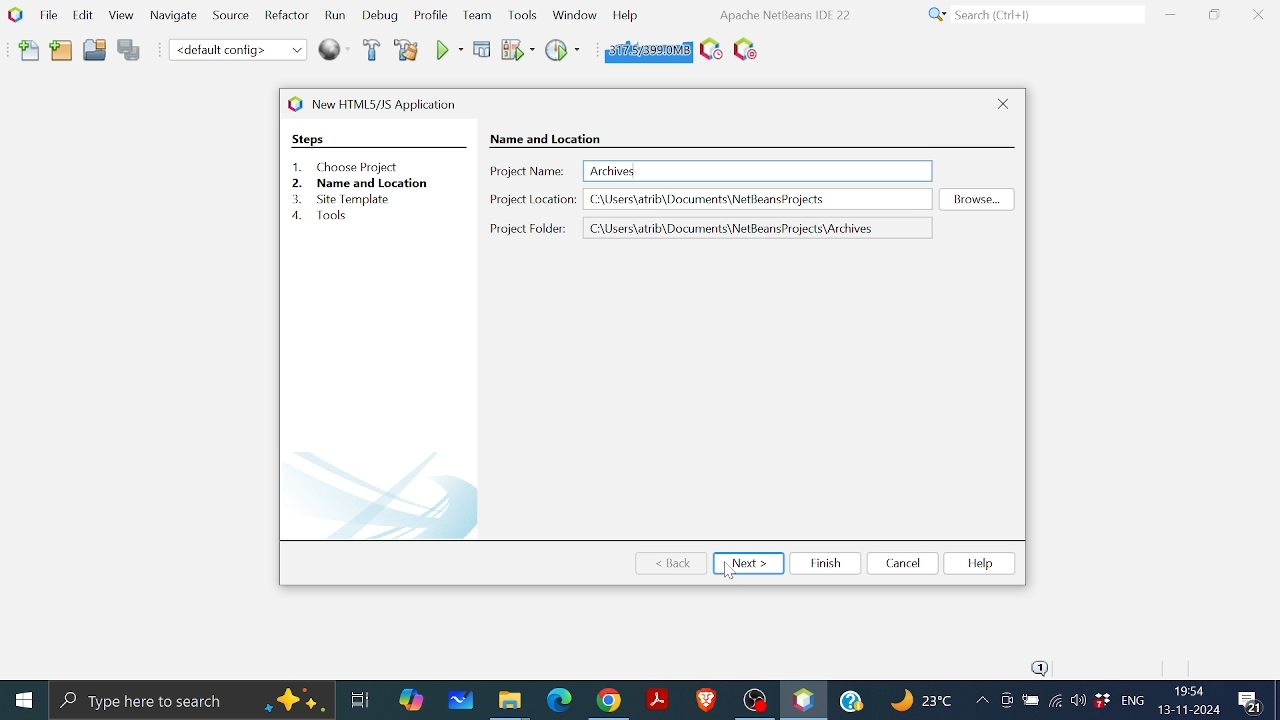  Describe the element at coordinates (334, 16) in the screenshot. I see `Run` at that location.